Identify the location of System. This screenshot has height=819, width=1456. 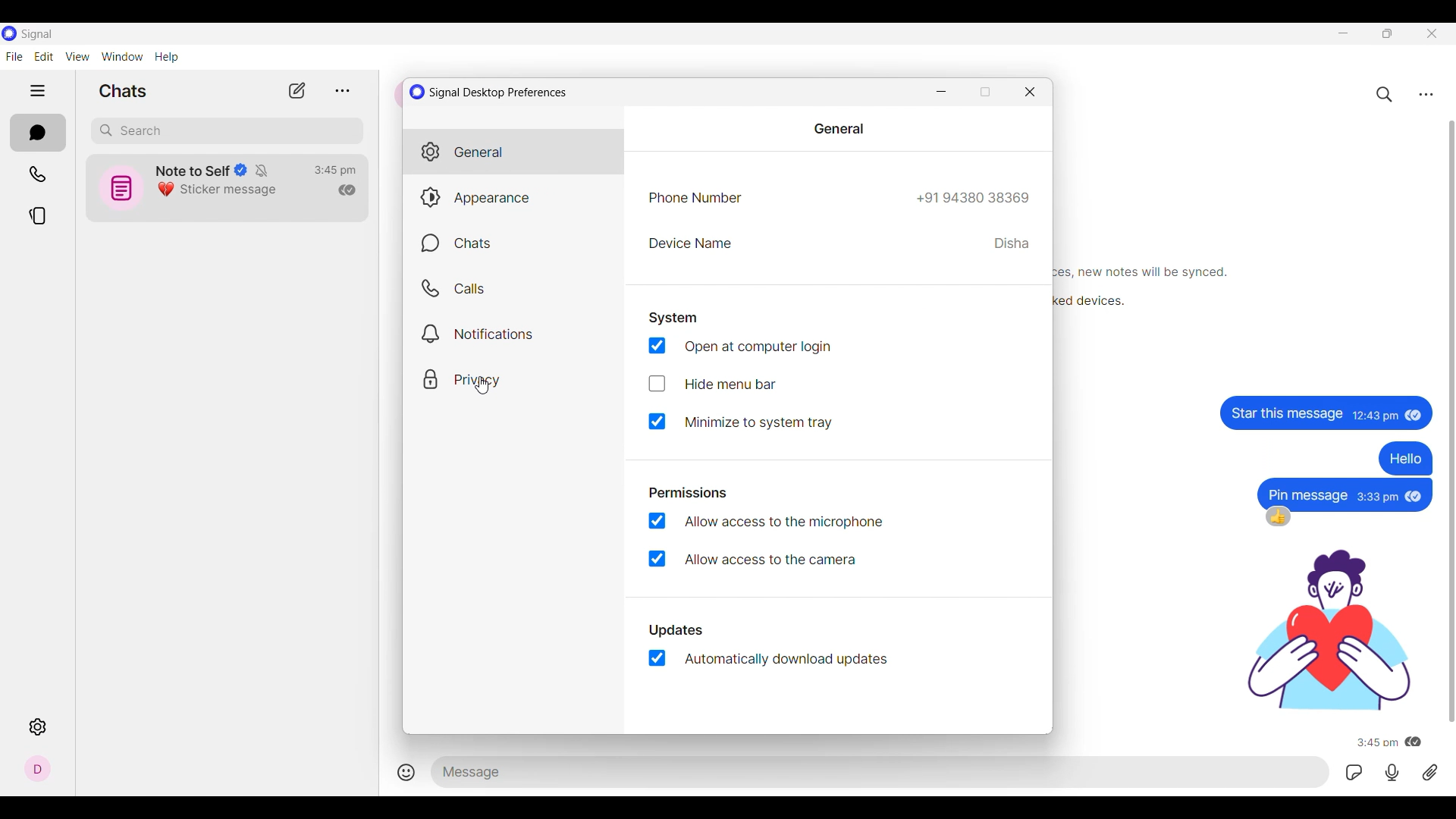
(673, 318).